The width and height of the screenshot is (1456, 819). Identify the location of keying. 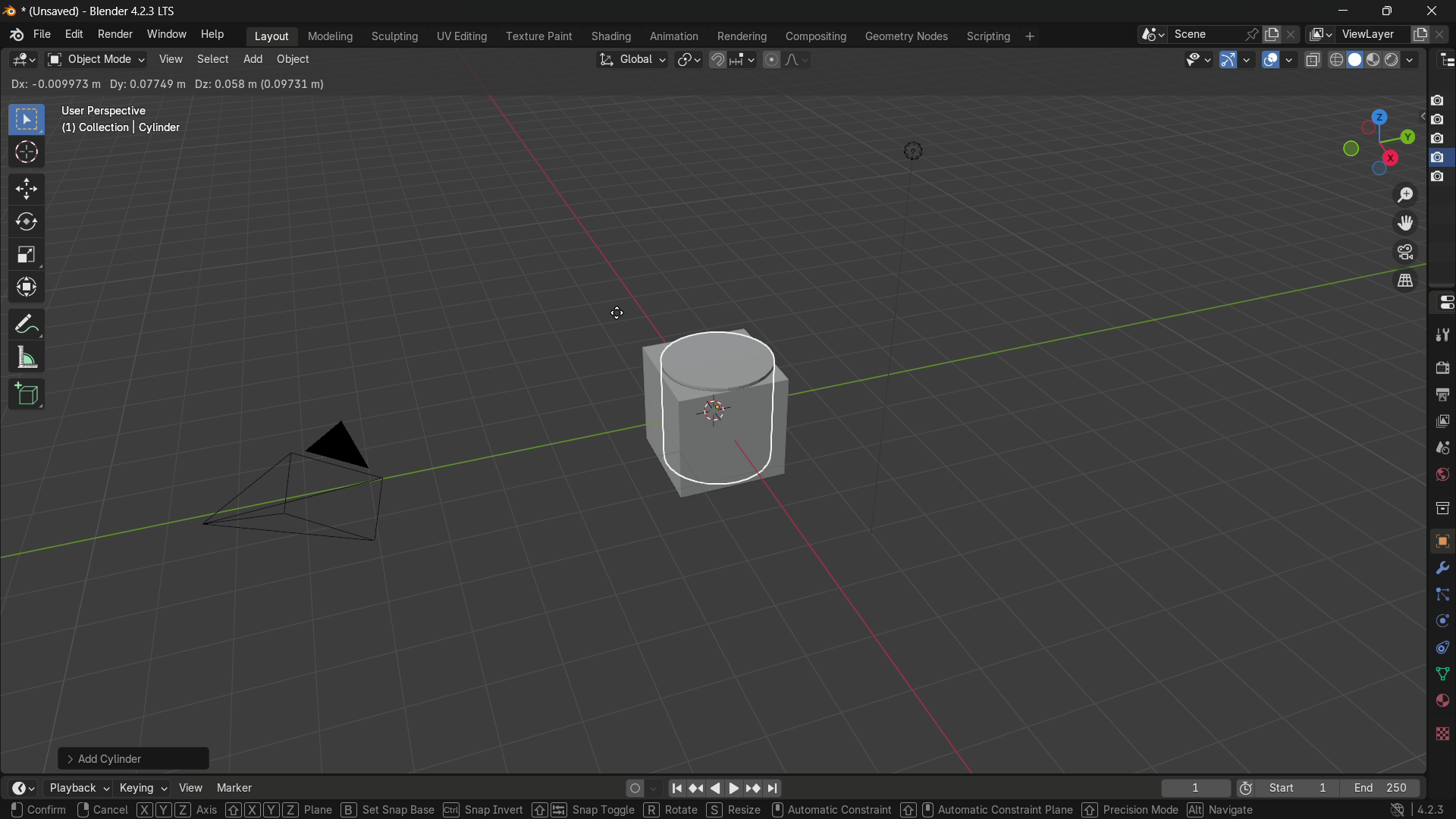
(142, 788).